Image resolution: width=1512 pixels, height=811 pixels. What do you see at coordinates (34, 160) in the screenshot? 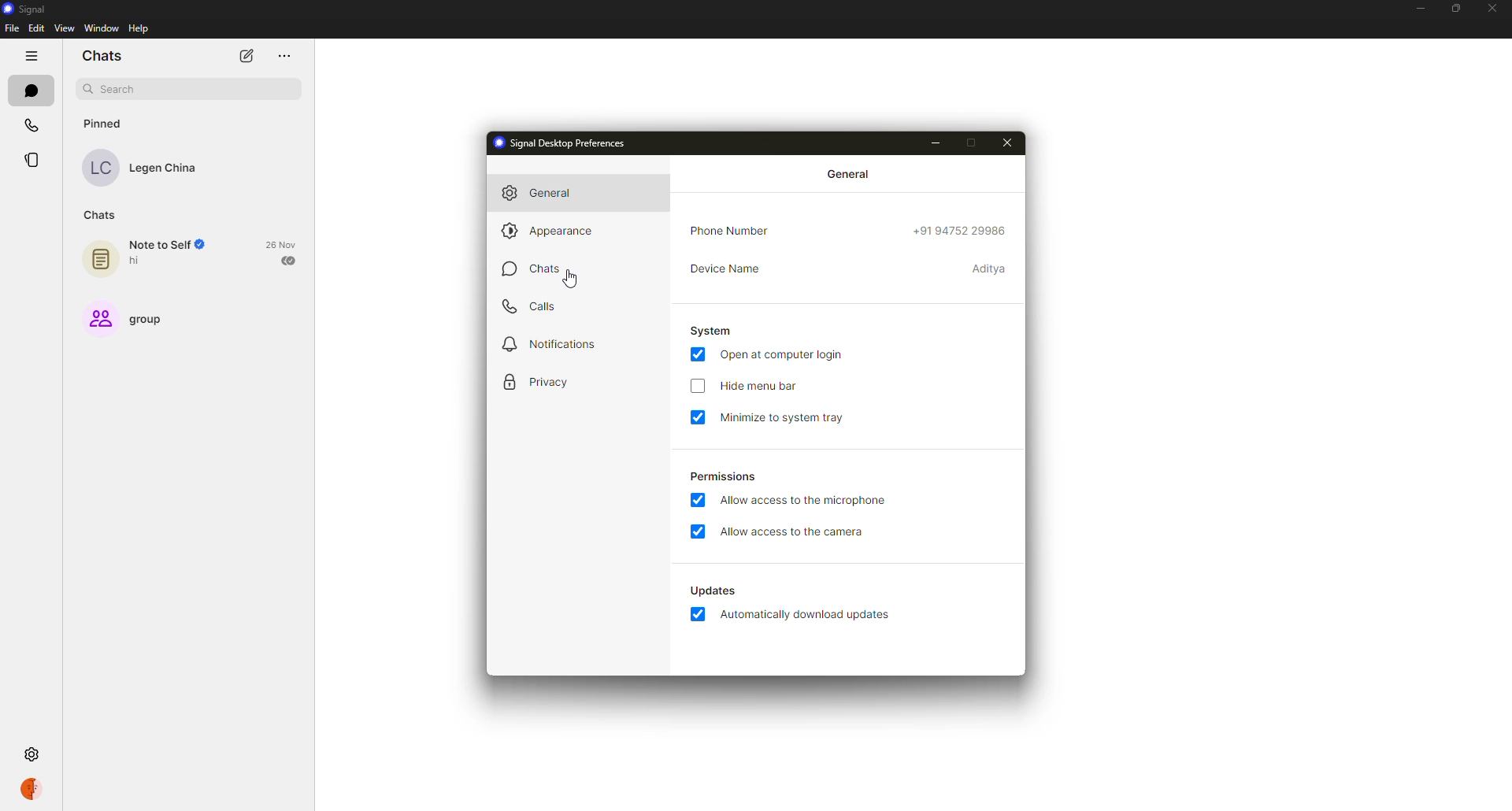
I see `stories` at bounding box center [34, 160].